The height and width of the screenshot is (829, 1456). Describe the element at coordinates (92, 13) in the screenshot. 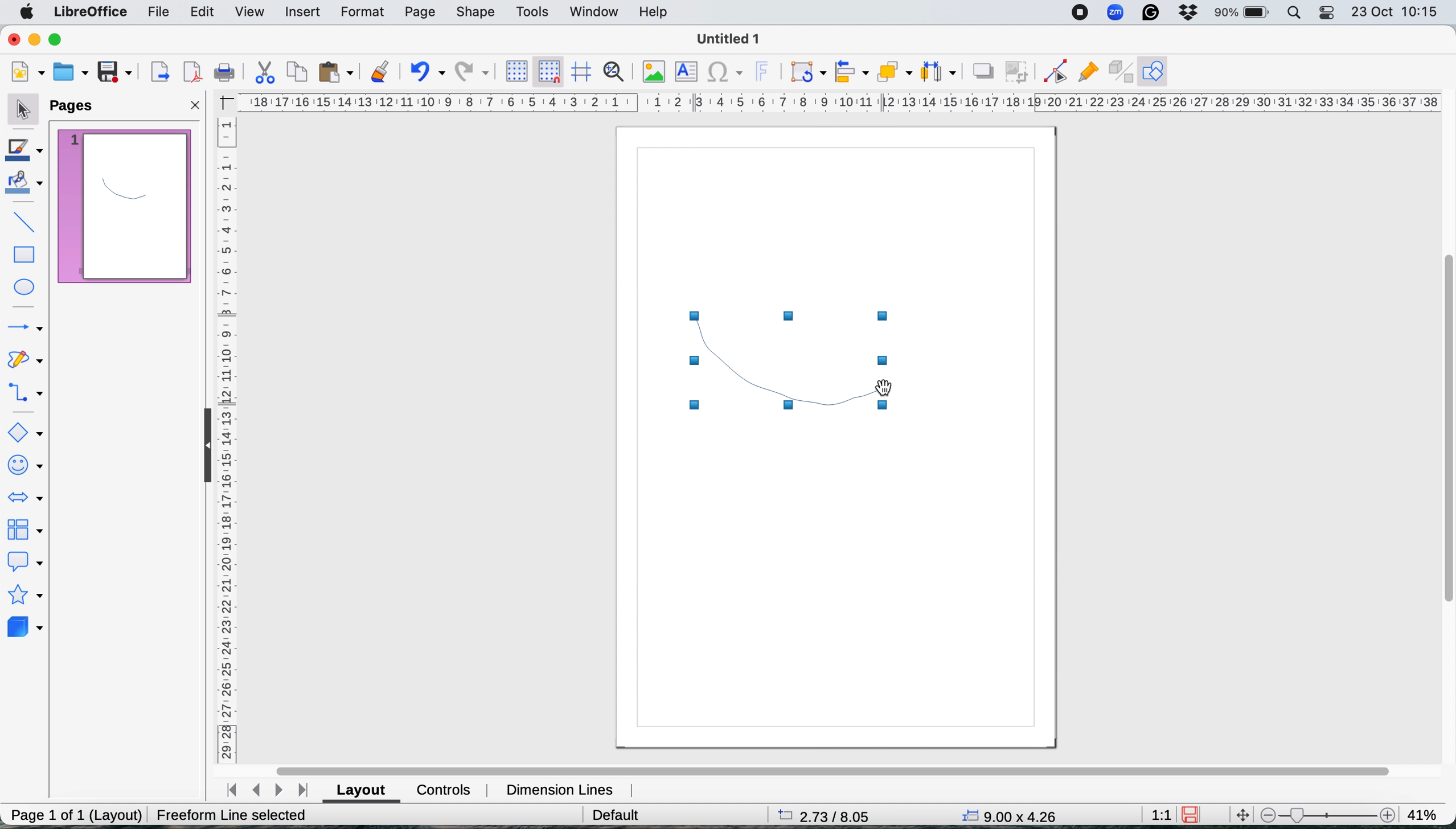

I see `libre office` at that location.